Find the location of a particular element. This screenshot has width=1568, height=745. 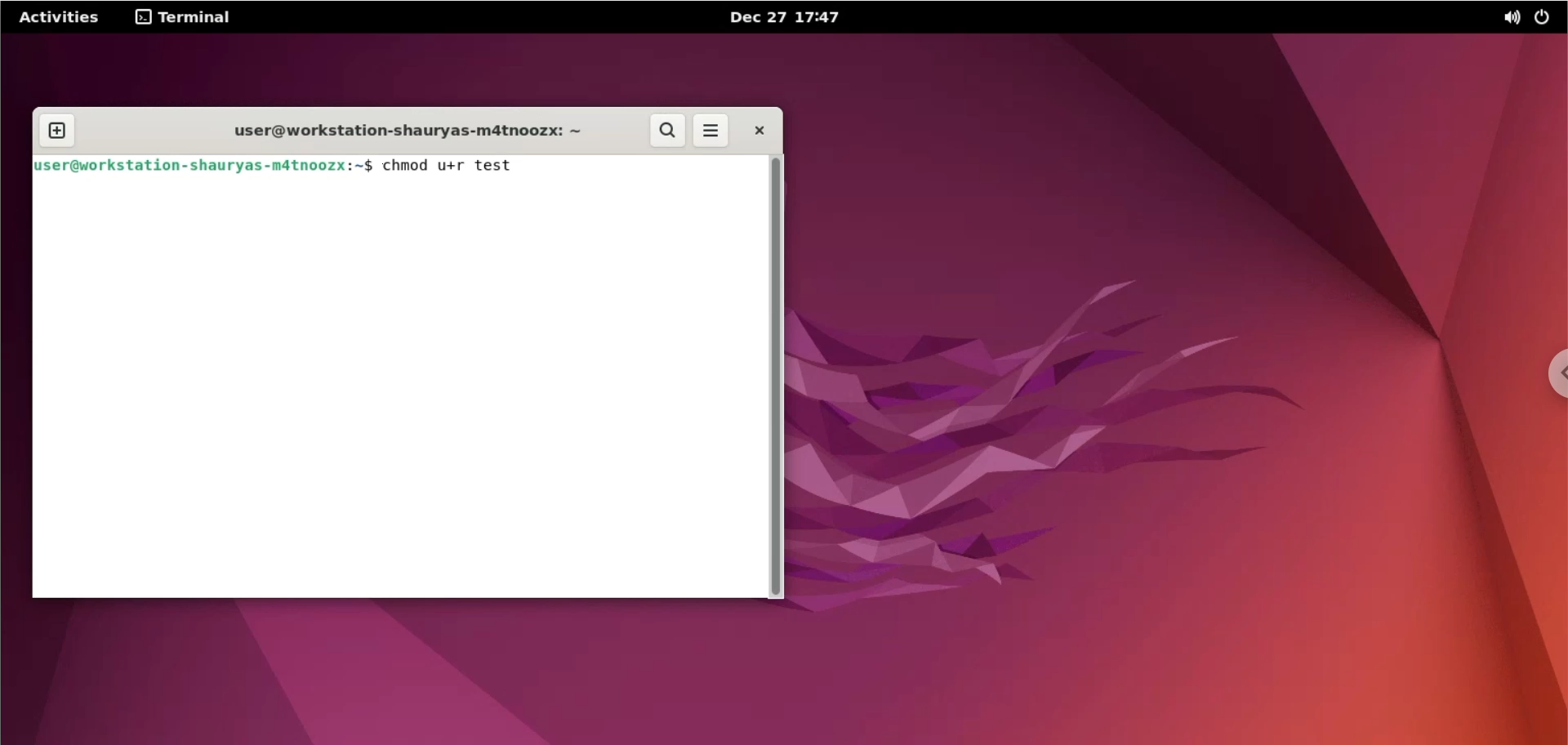

chmod u+r test is located at coordinates (458, 165).